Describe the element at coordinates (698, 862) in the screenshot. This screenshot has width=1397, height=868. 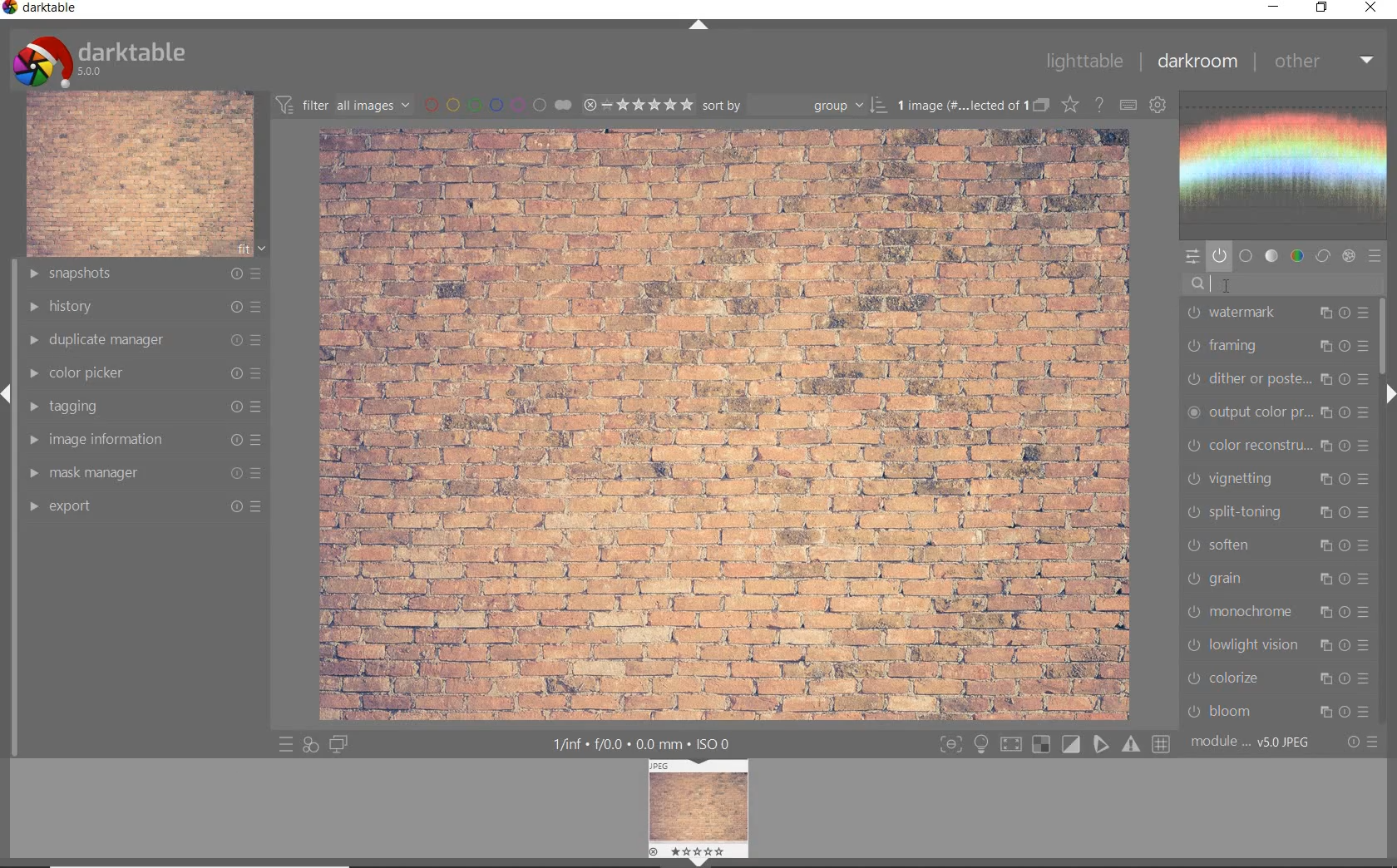
I see `down` at that location.